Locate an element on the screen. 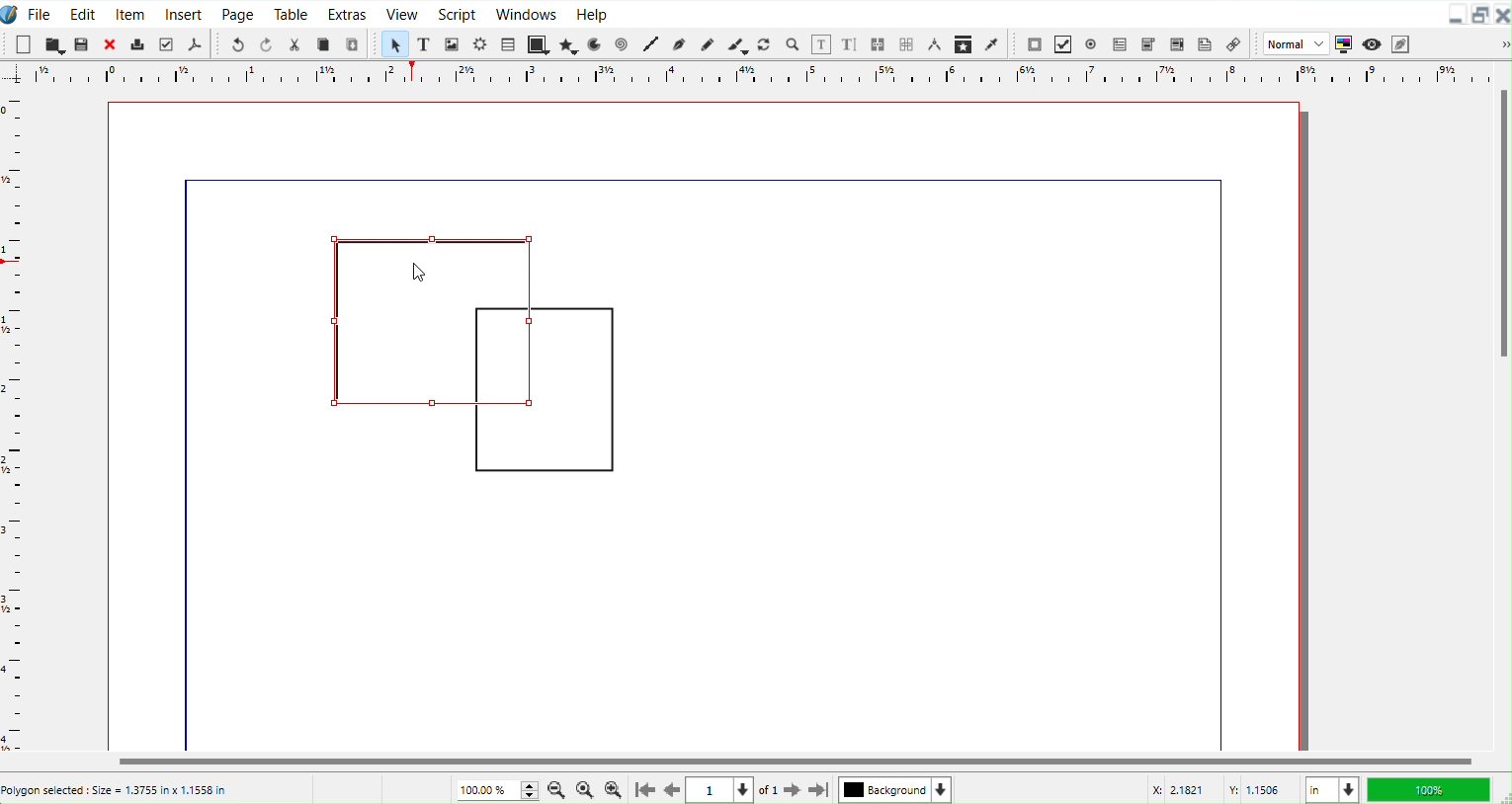 The width and height of the screenshot is (1512, 804). Window is located at coordinates (527, 13).